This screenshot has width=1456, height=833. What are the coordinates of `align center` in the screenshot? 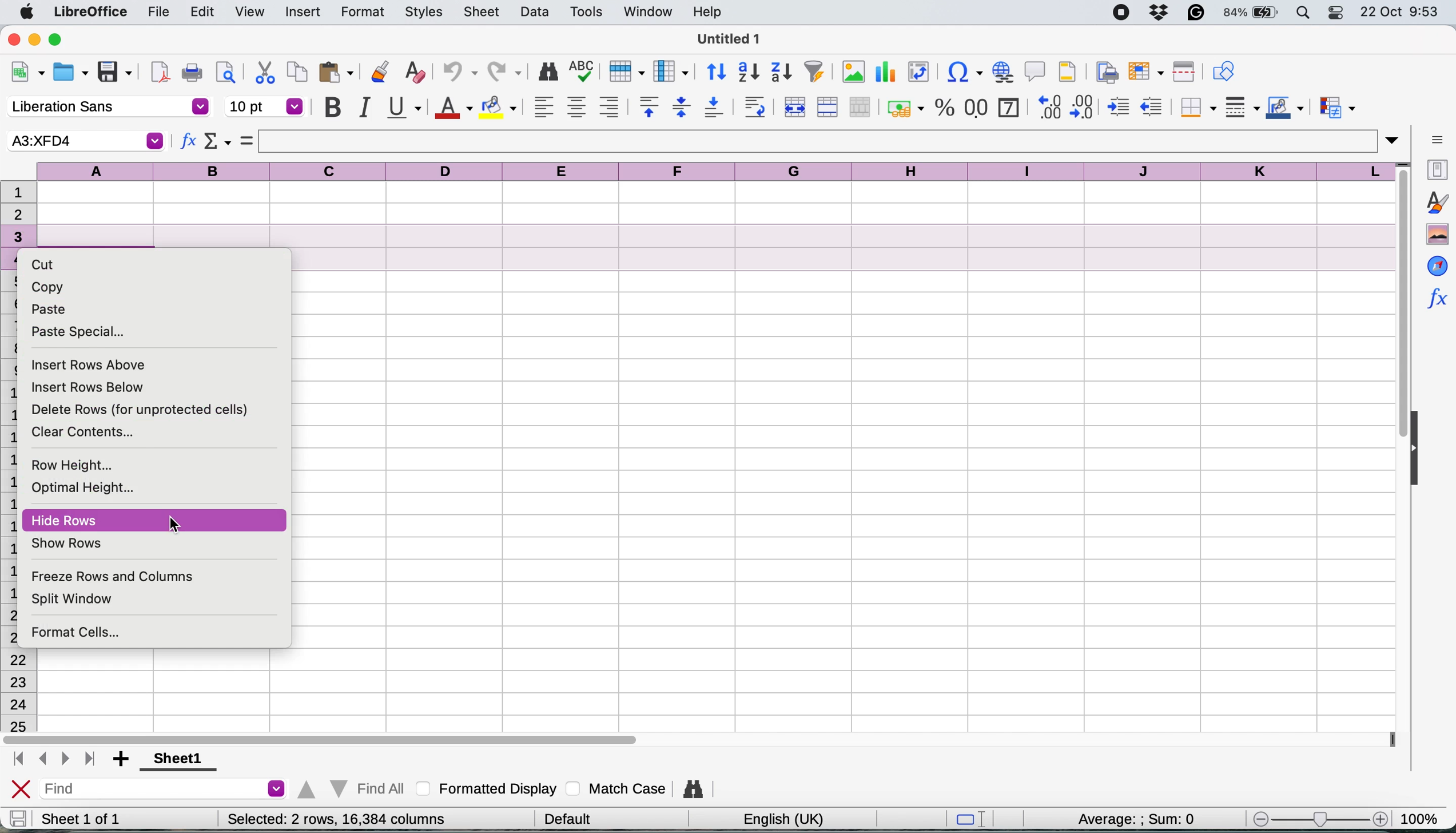 It's located at (576, 108).